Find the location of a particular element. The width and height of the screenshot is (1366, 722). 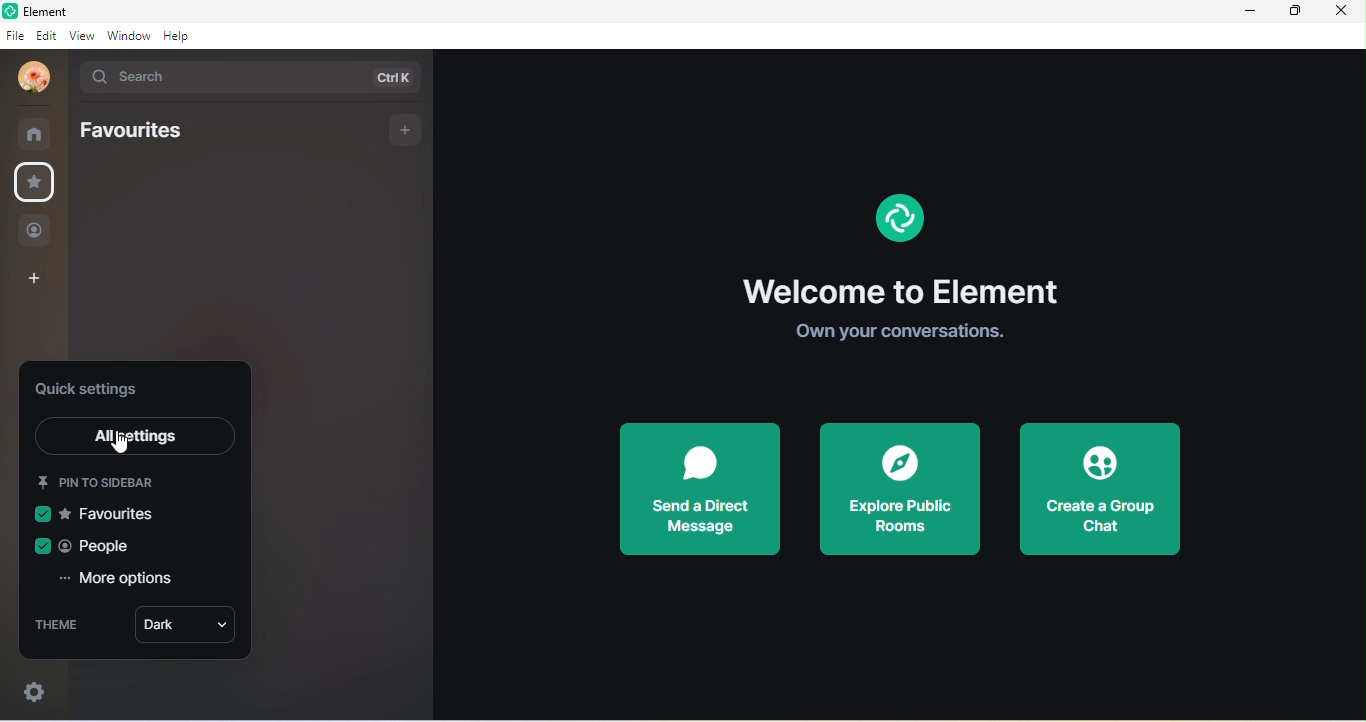

pin to sidebar is located at coordinates (98, 485).